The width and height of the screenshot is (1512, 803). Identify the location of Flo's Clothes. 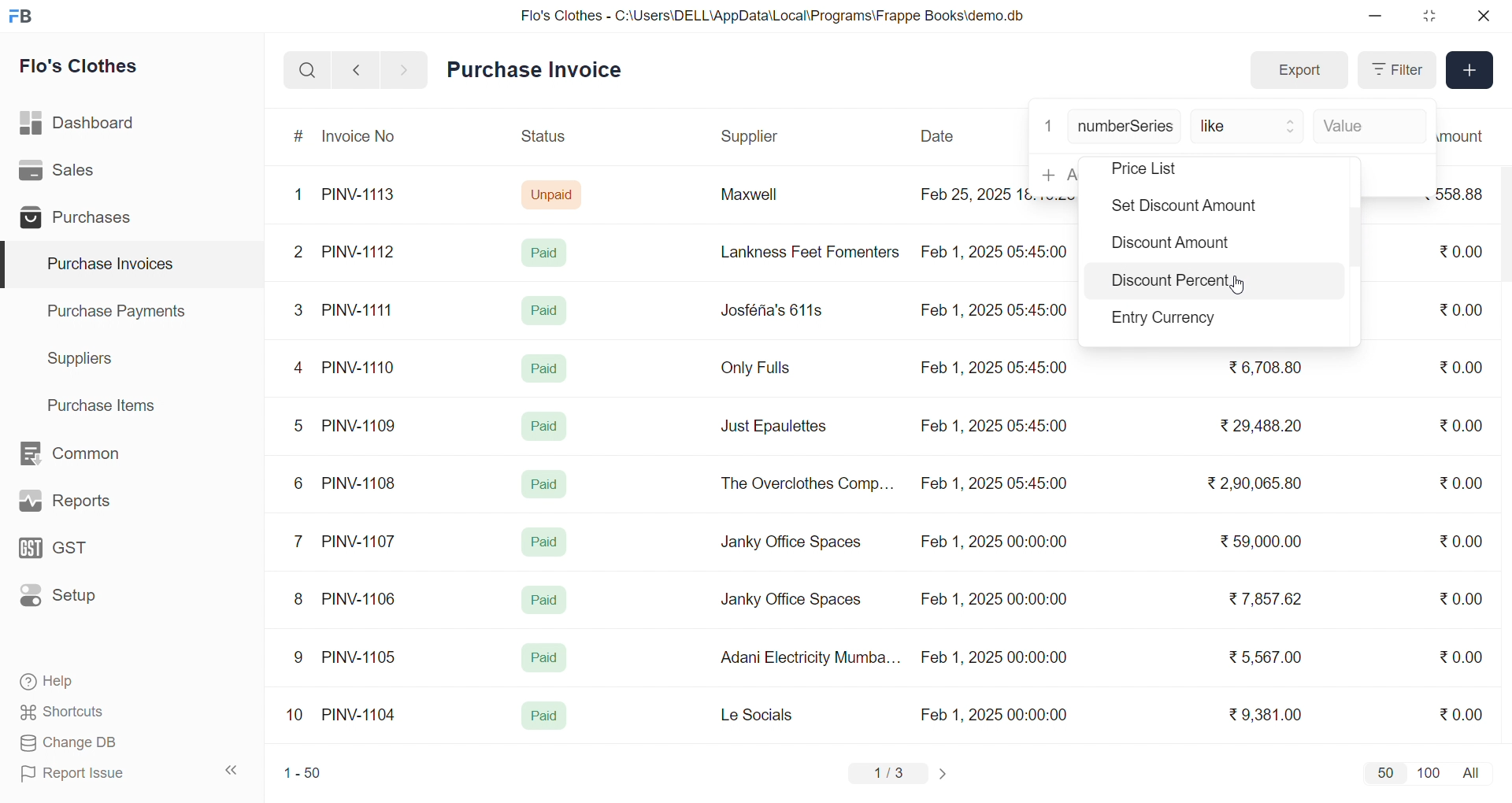
(90, 68).